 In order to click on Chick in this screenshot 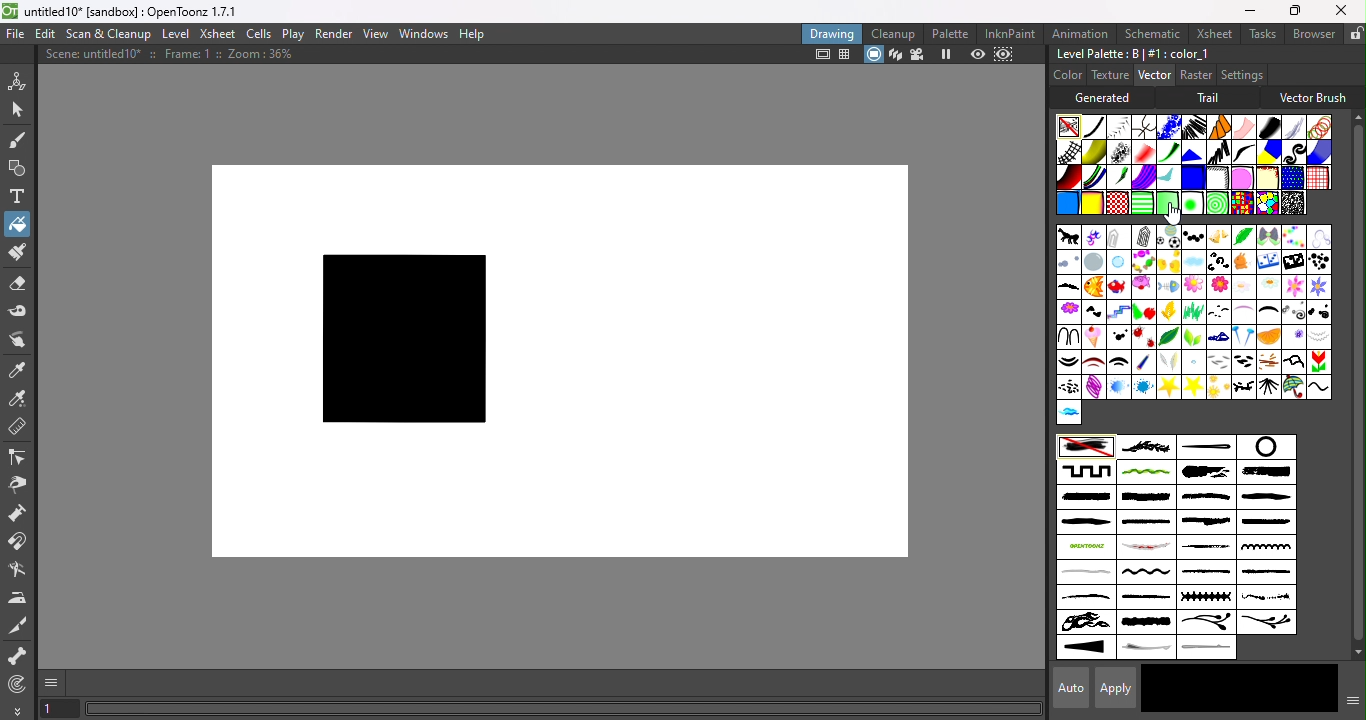, I will do `click(1167, 261)`.